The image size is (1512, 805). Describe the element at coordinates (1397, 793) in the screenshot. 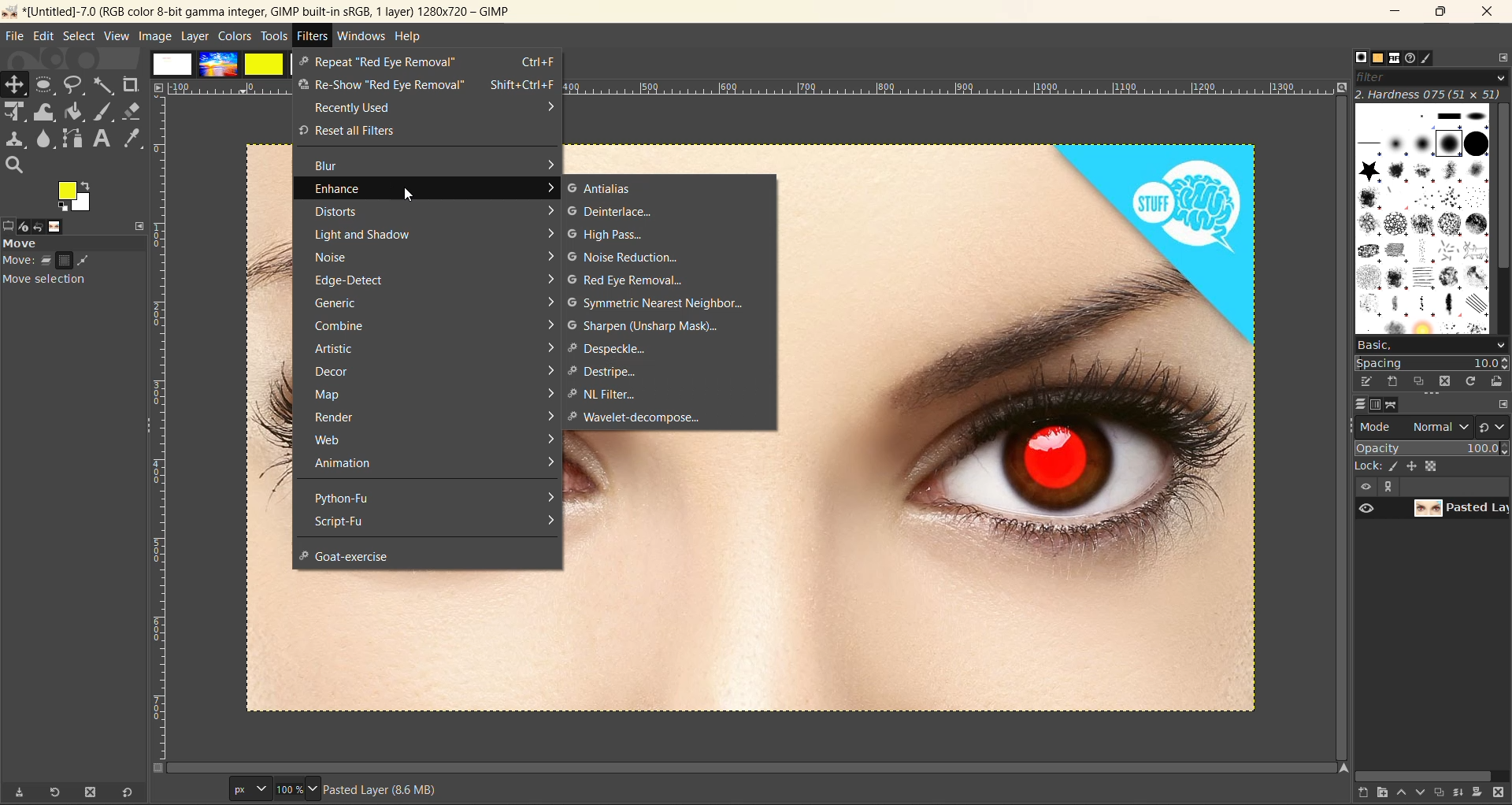

I see `raise this layer` at that location.